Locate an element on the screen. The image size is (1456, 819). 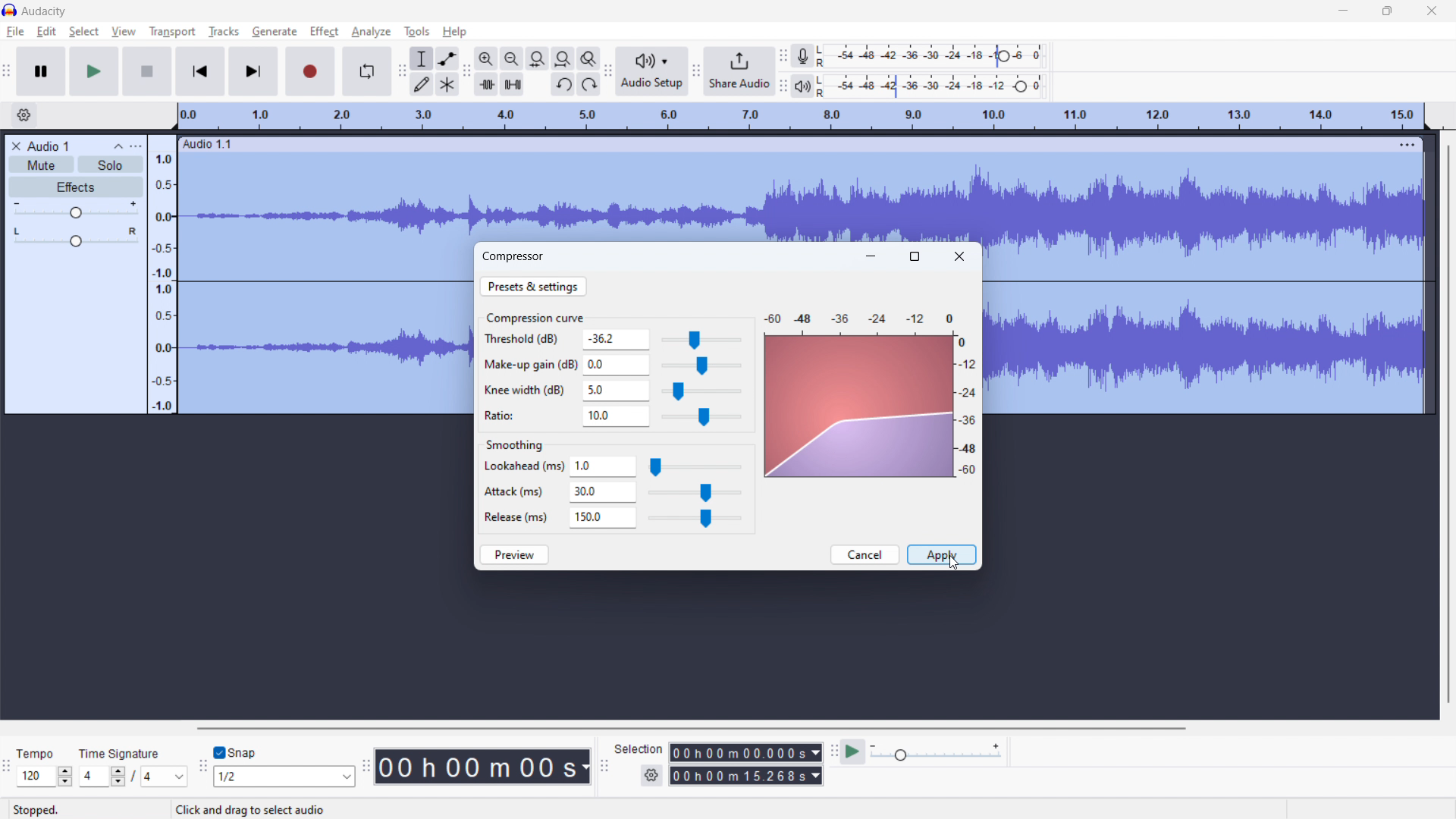
effect is located at coordinates (325, 32).